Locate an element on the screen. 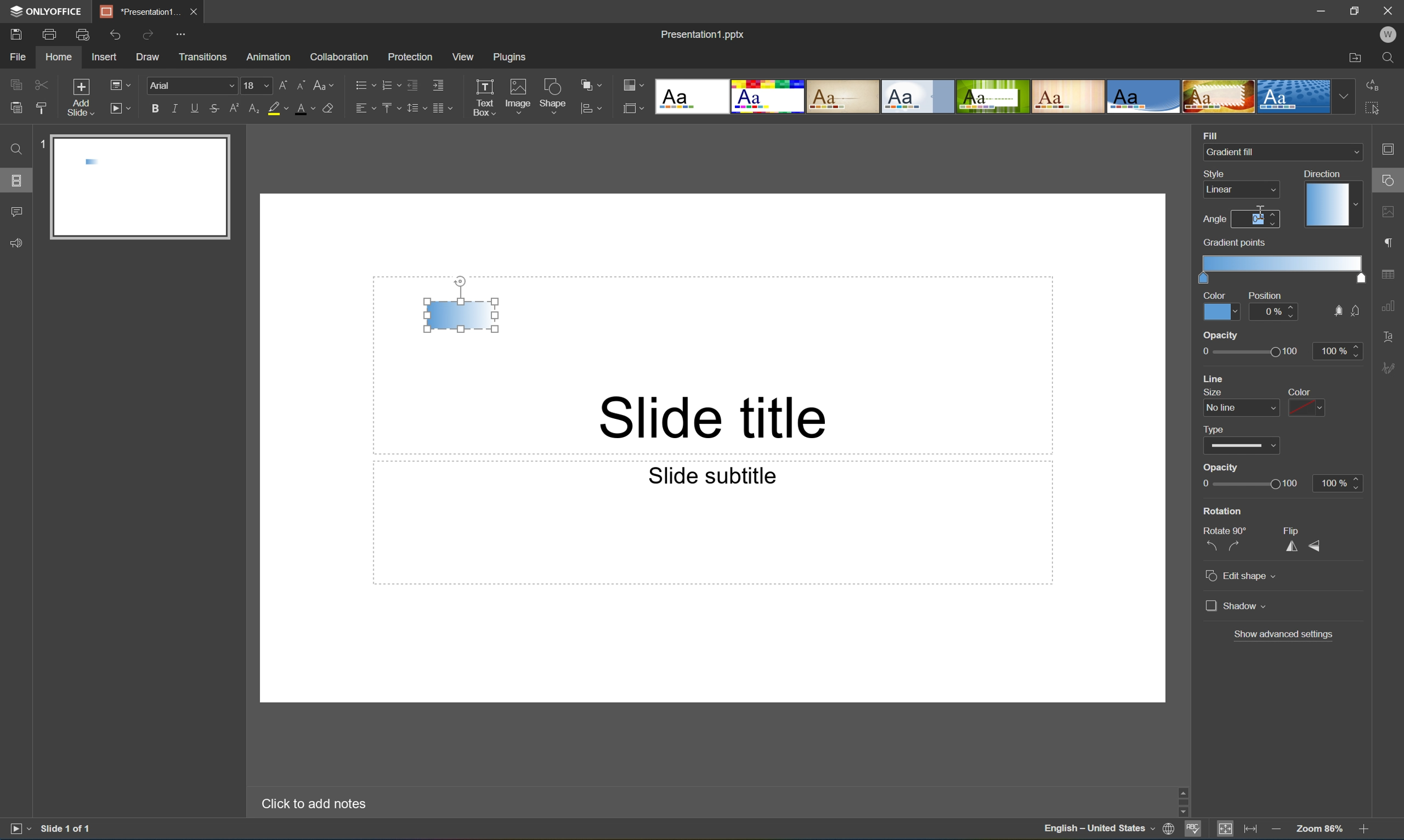 The image size is (1404, 840). Zero degrees is located at coordinates (1256, 220).